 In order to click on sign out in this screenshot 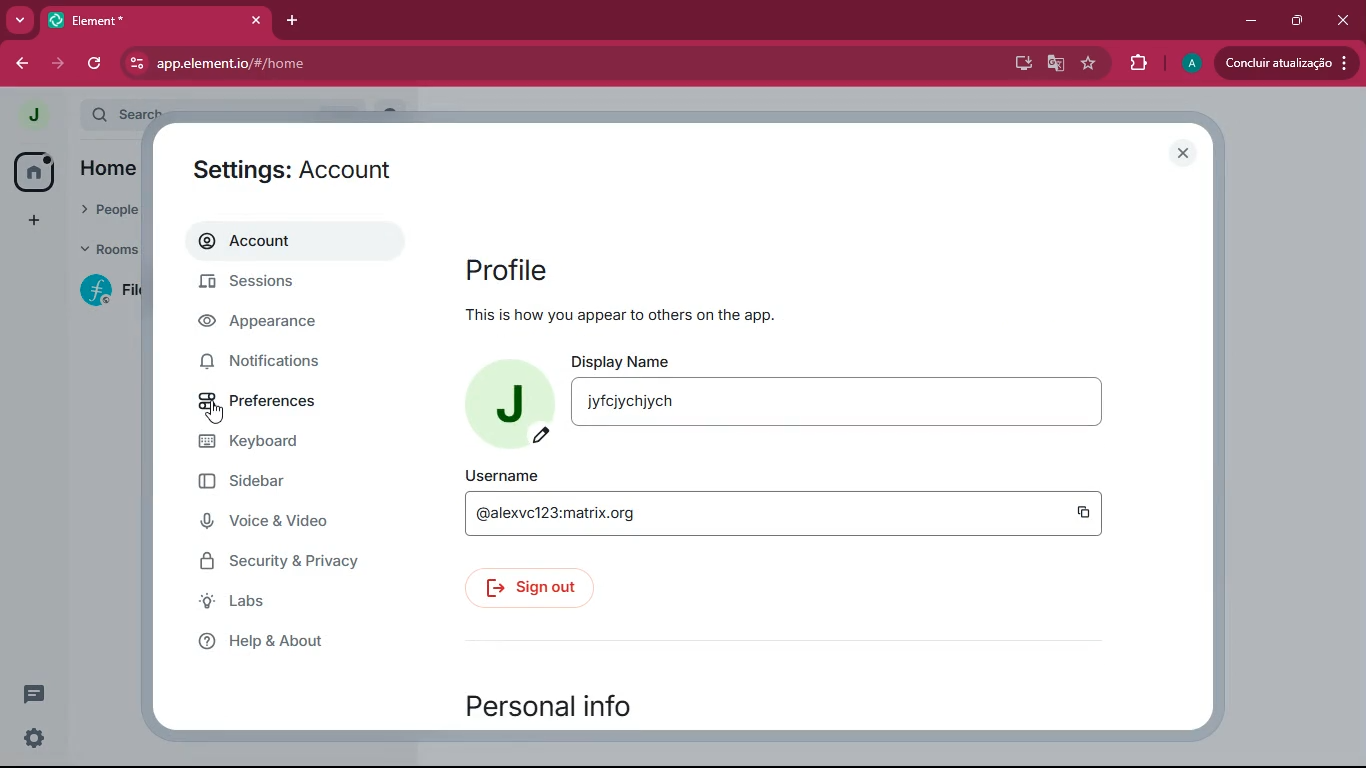, I will do `click(536, 588)`.